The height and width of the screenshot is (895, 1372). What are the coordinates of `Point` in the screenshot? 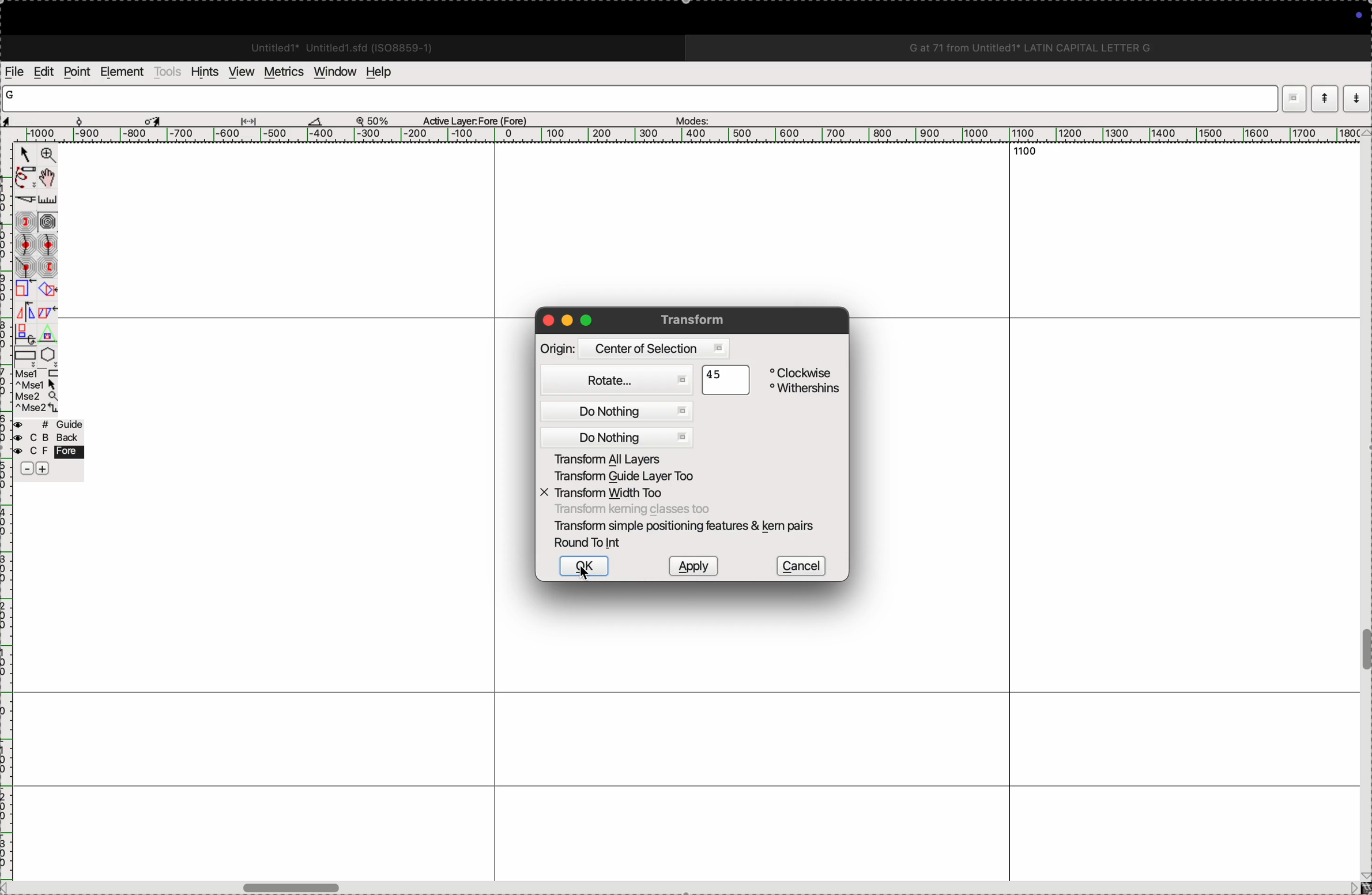 It's located at (25, 155).